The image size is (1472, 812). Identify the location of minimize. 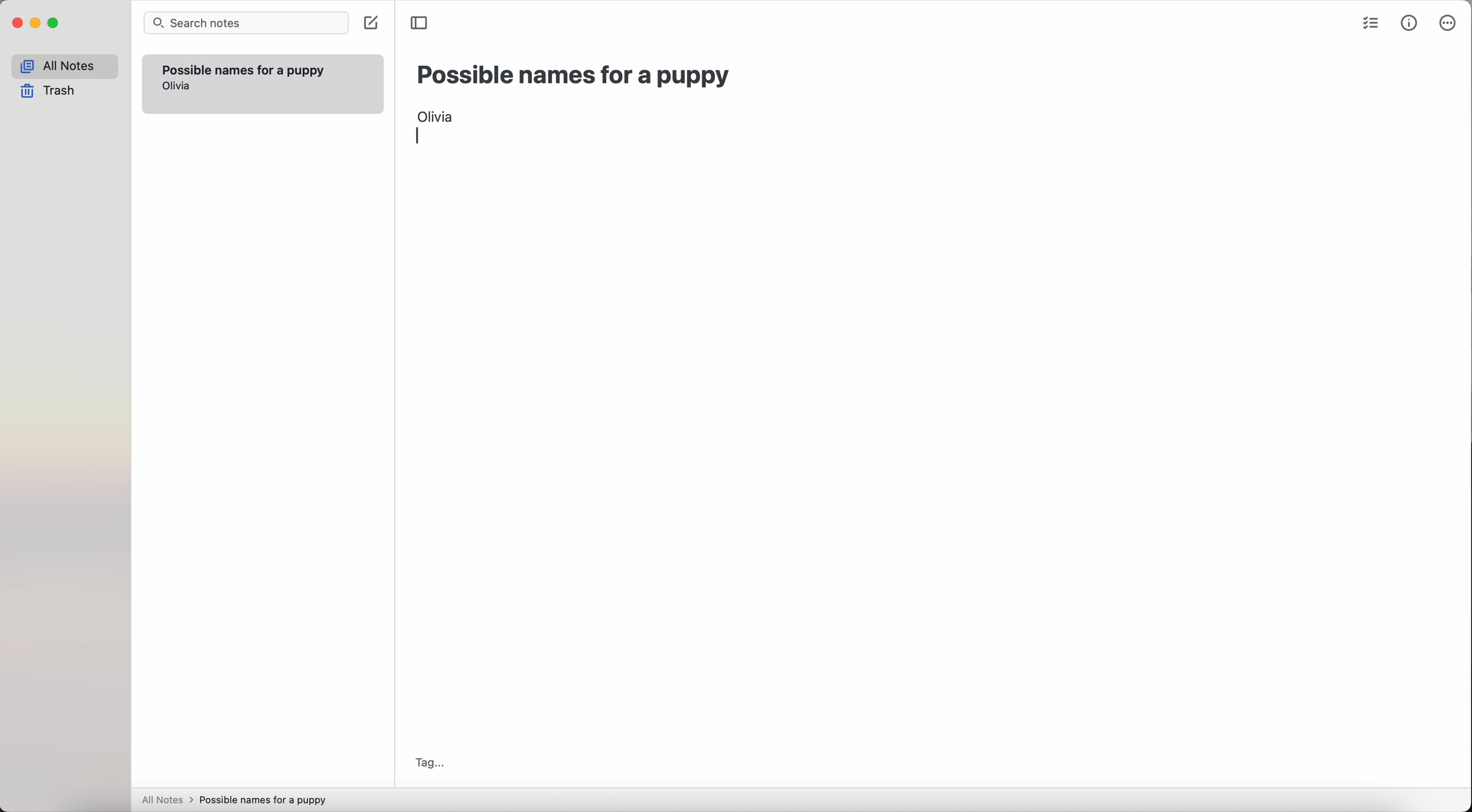
(36, 24).